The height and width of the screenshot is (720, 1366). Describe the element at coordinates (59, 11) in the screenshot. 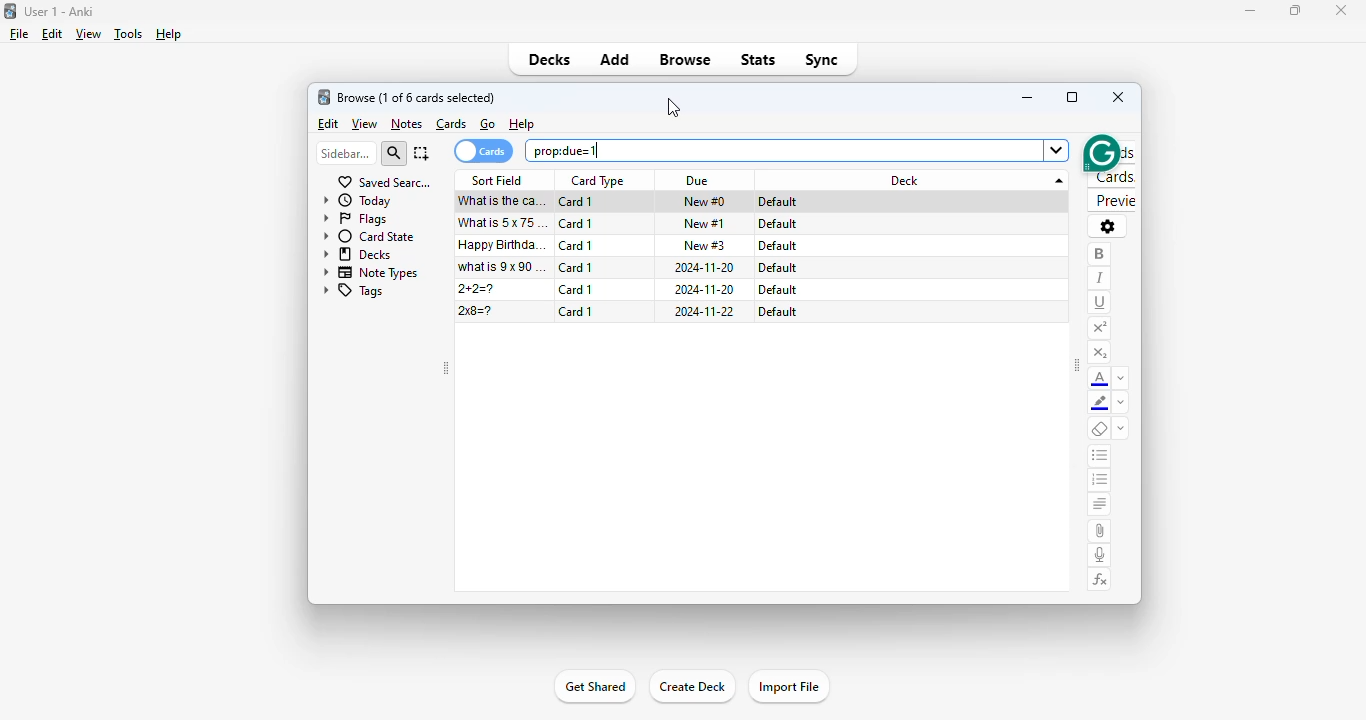

I see `User 1 - Anki` at that location.